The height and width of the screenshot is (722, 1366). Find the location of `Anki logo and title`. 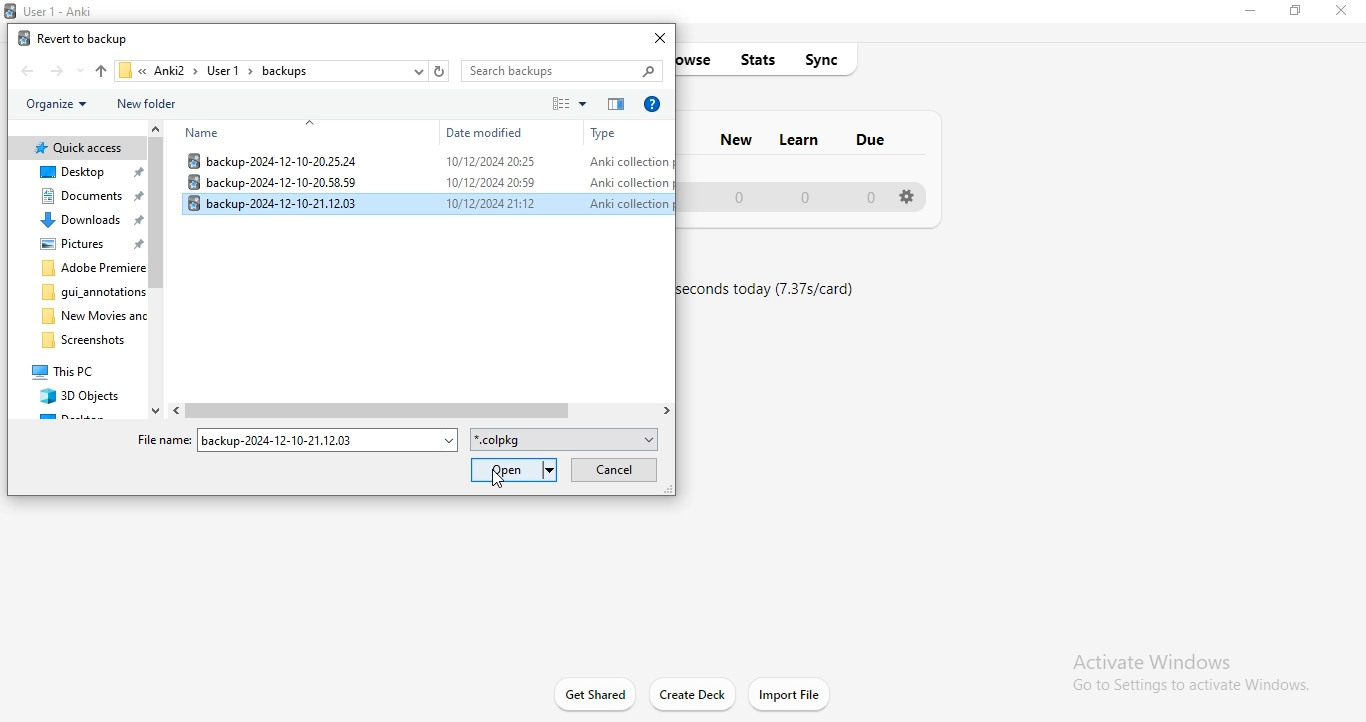

Anki logo and title is located at coordinates (59, 8).